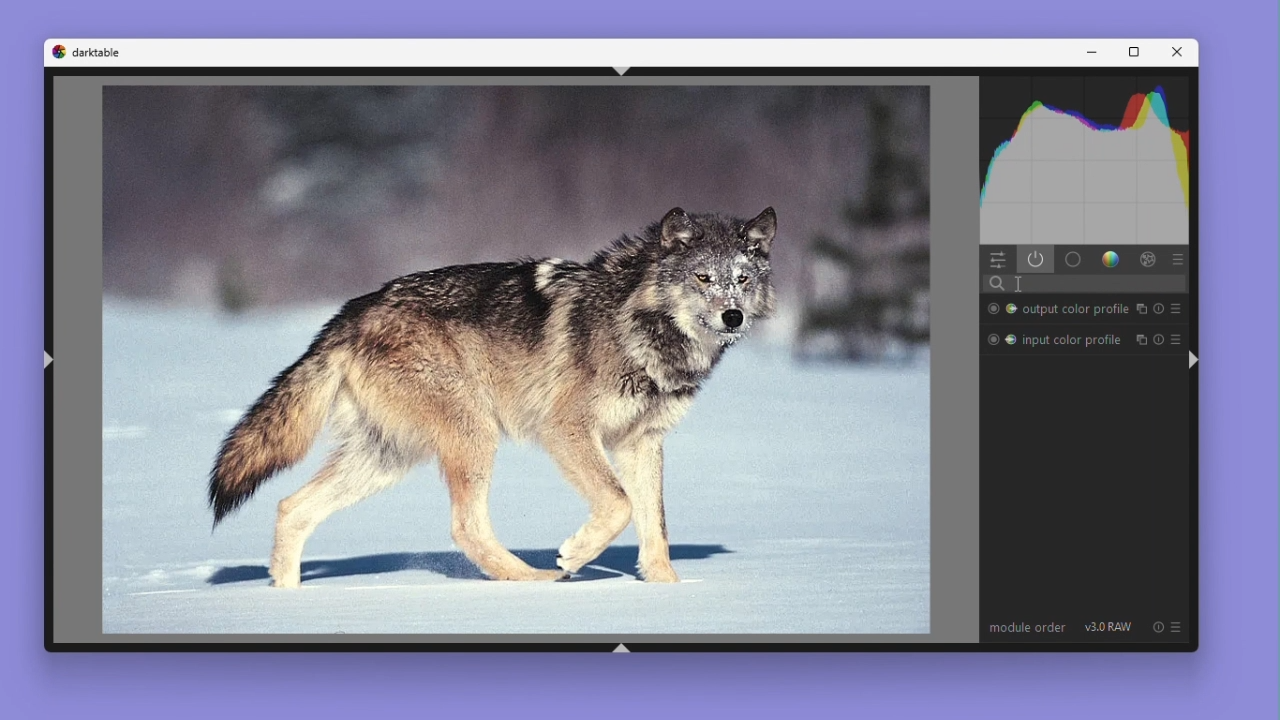 The width and height of the screenshot is (1280, 720). Describe the element at coordinates (625, 646) in the screenshot. I see `shift+ctrl+b` at that location.